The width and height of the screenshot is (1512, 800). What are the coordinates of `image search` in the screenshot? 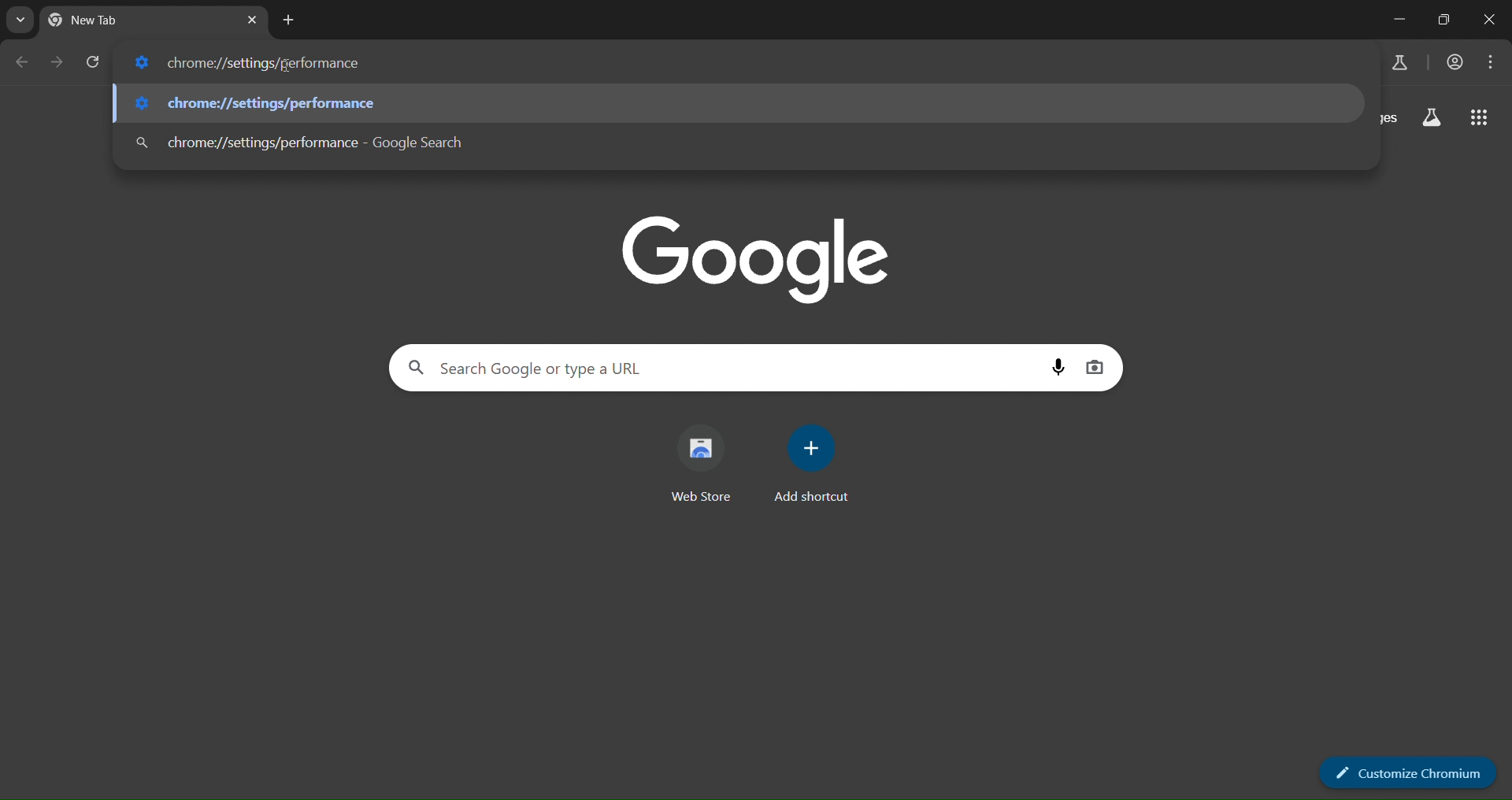 It's located at (1095, 369).